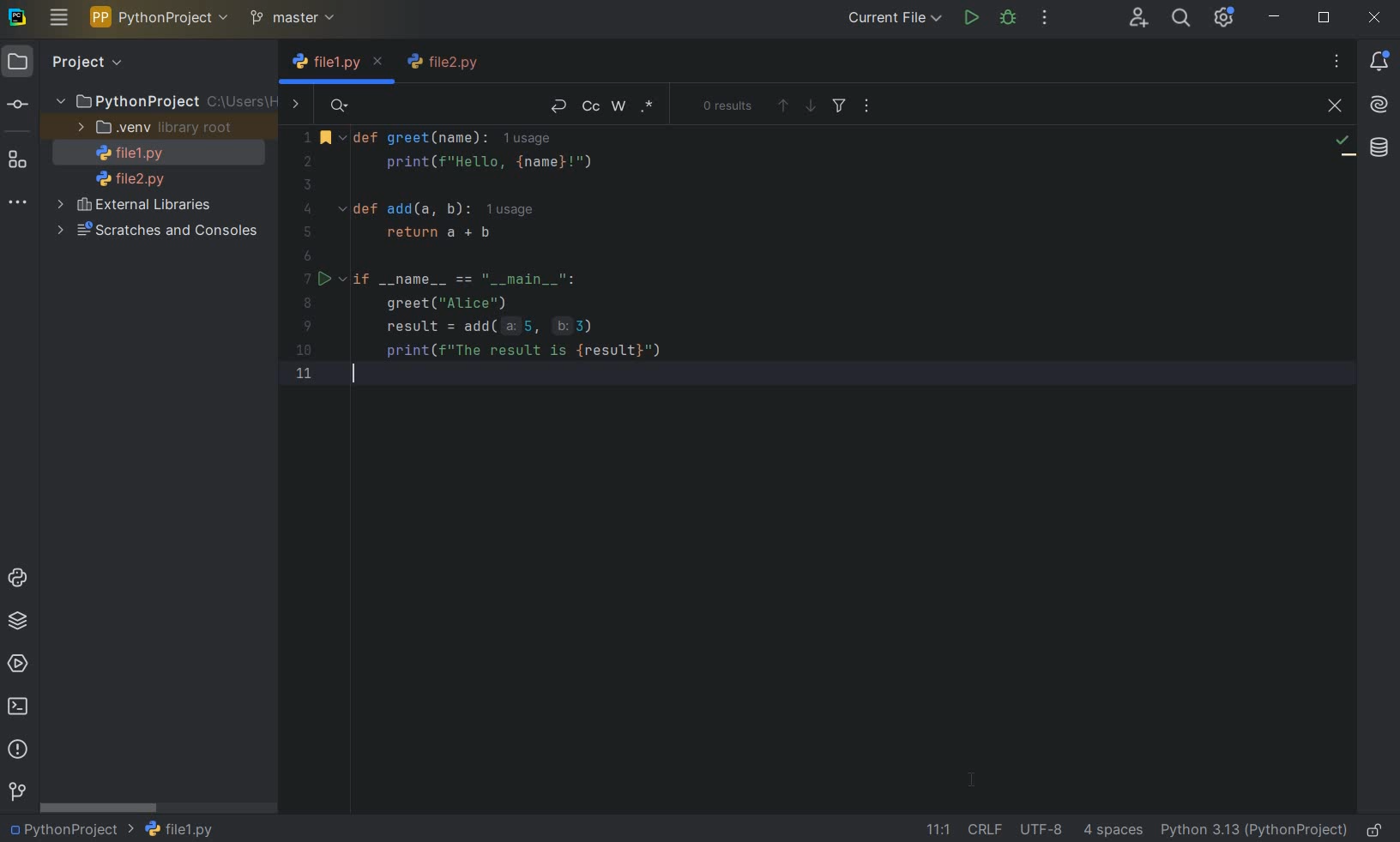 This screenshot has width=1400, height=842. I want to click on .VENV, so click(155, 128).